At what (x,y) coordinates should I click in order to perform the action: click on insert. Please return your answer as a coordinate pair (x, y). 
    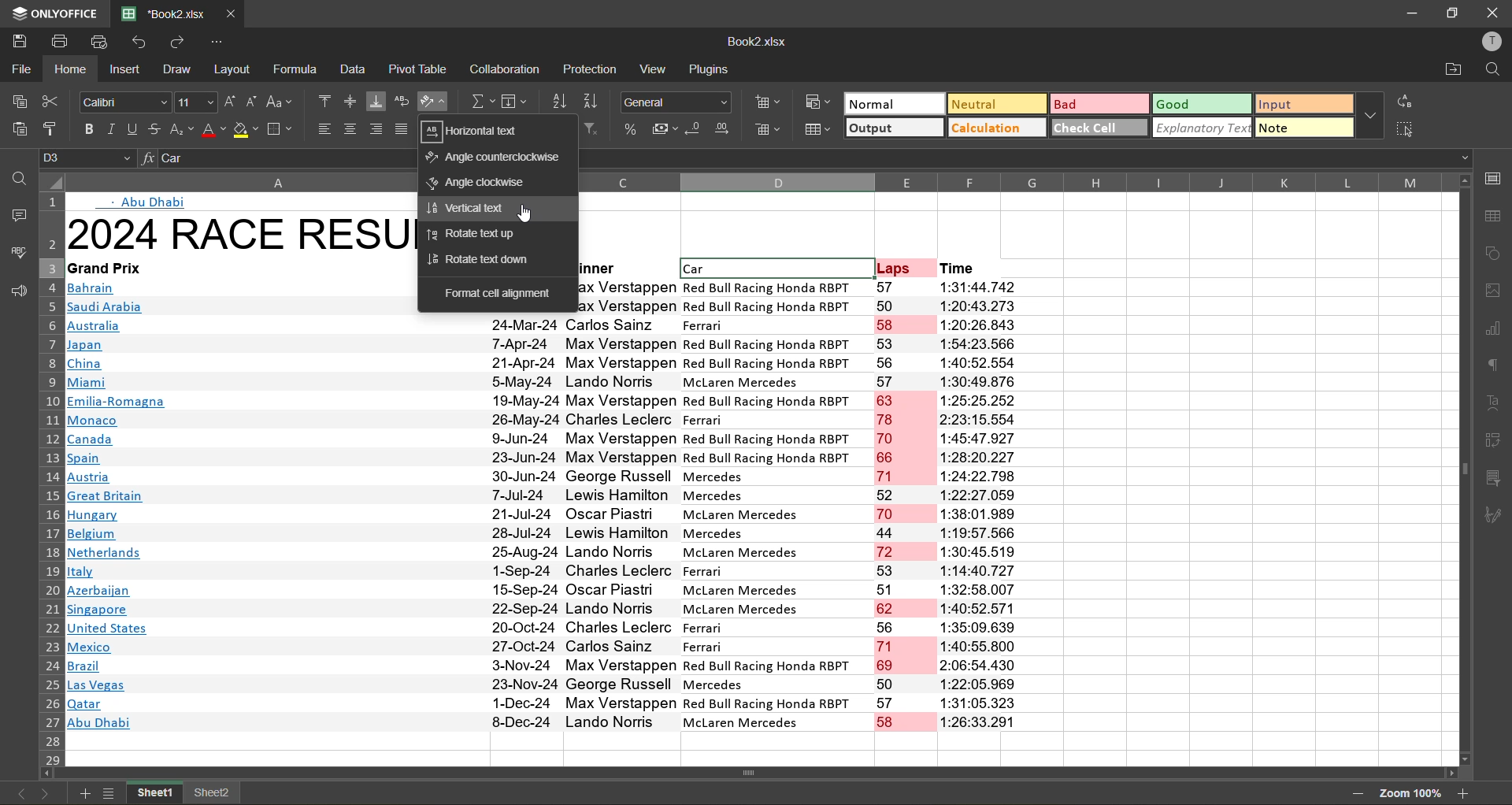
    Looking at the image, I should click on (122, 69).